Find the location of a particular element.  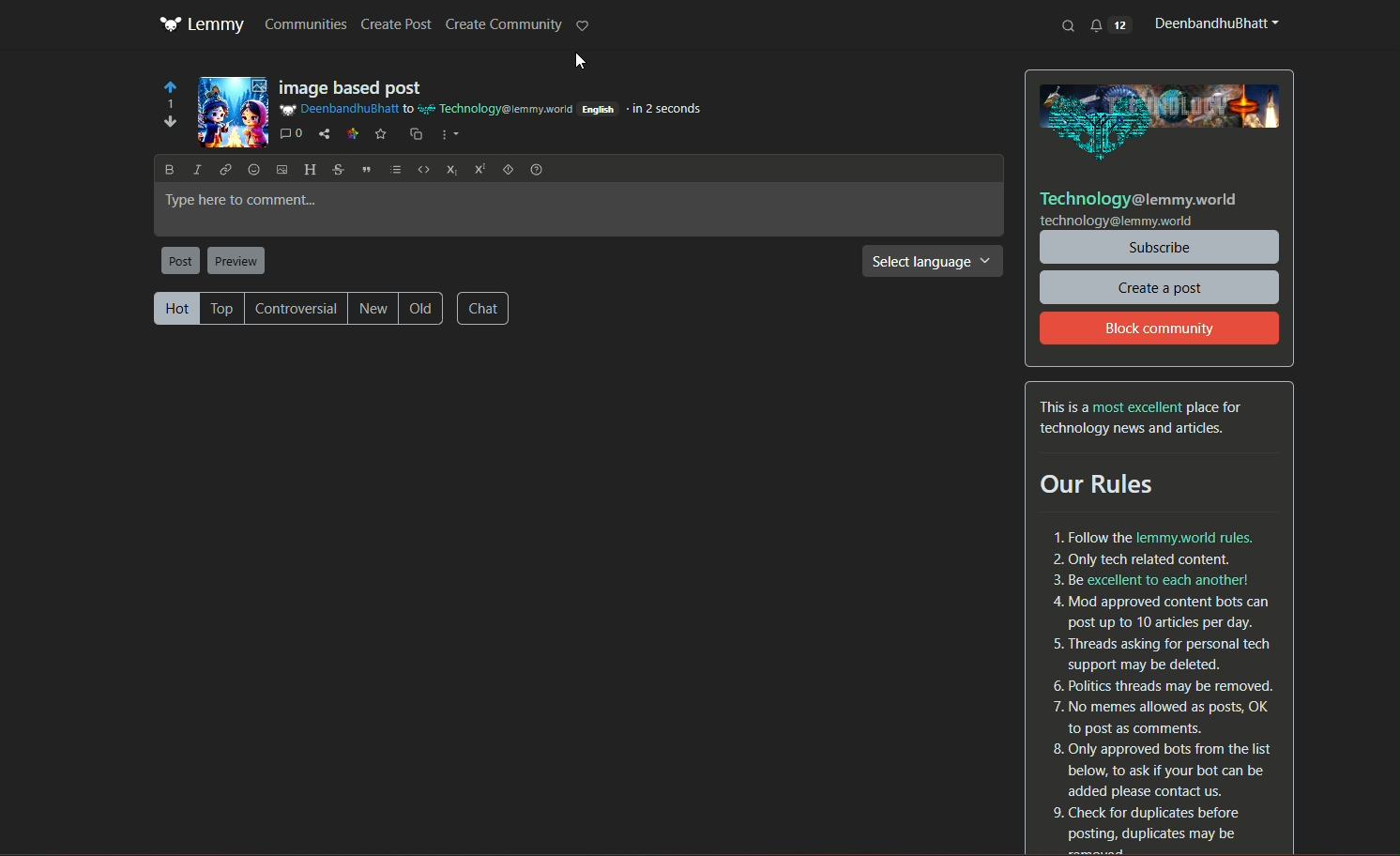

Strikethrough is located at coordinates (336, 168).